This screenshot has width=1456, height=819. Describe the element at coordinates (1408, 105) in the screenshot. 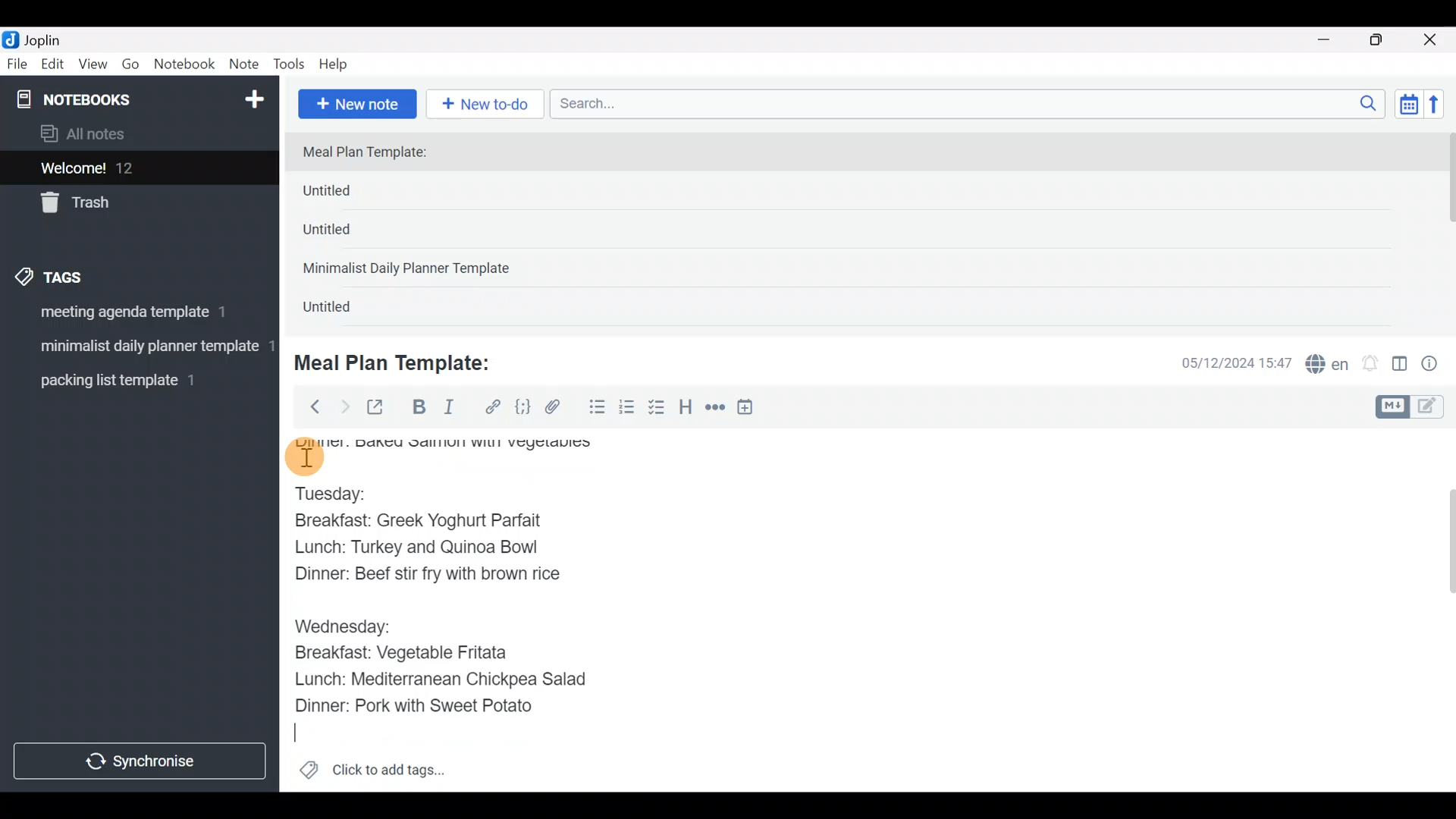

I see `Toggle sort order` at that location.